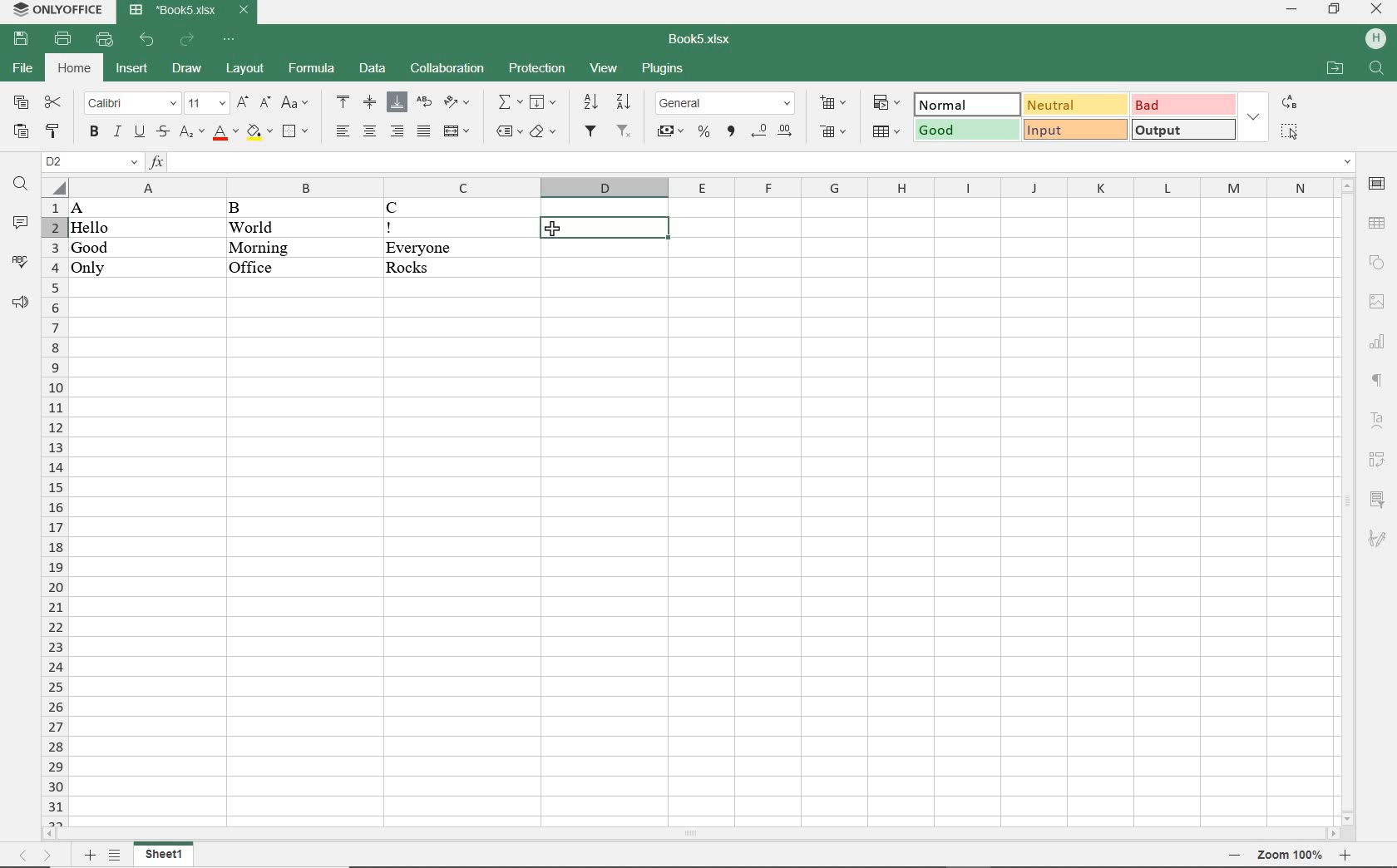  I want to click on minimize, so click(1295, 11).